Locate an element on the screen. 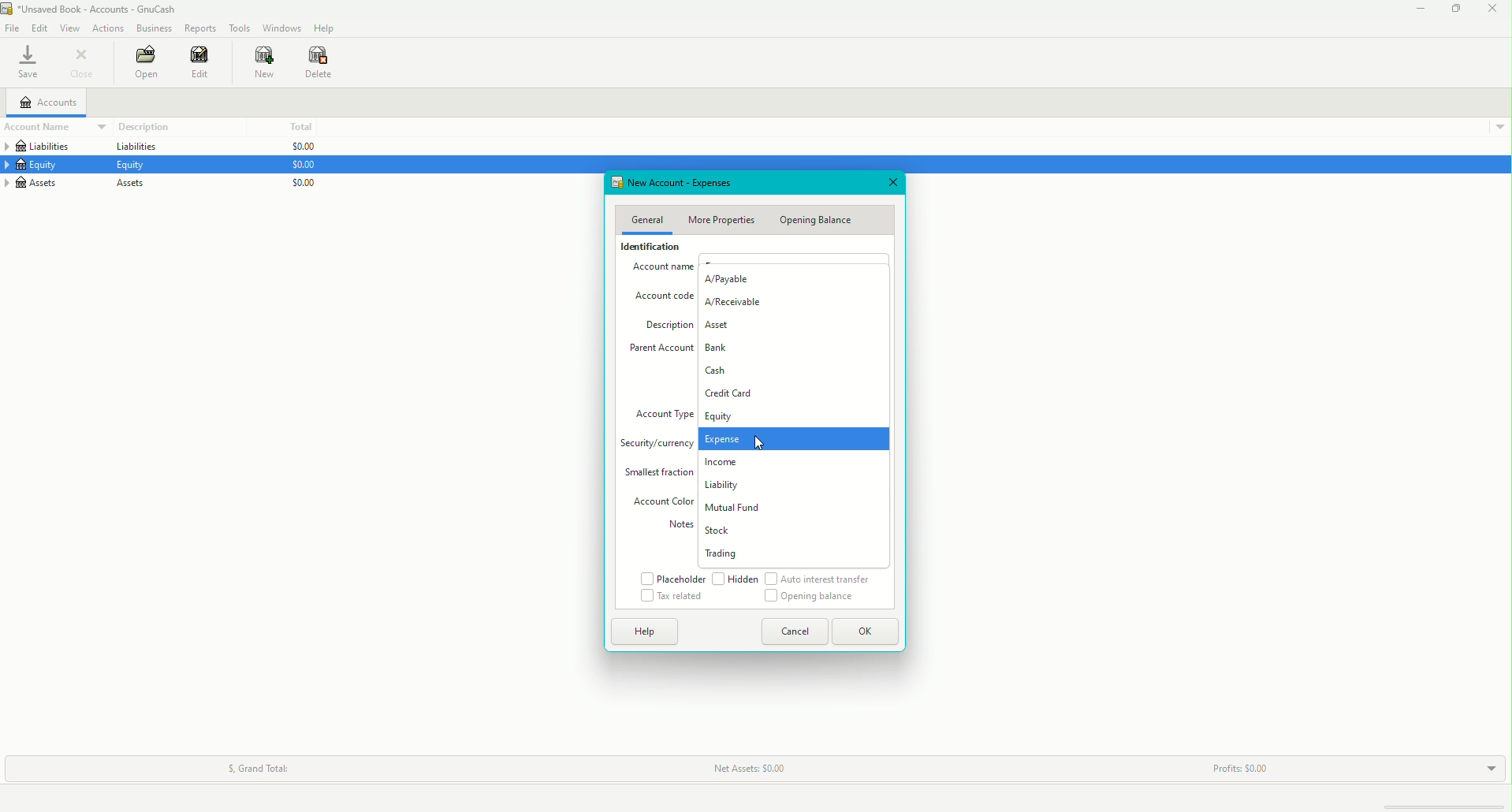 This screenshot has height=812, width=1512. Tax related is located at coordinates (672, 597).